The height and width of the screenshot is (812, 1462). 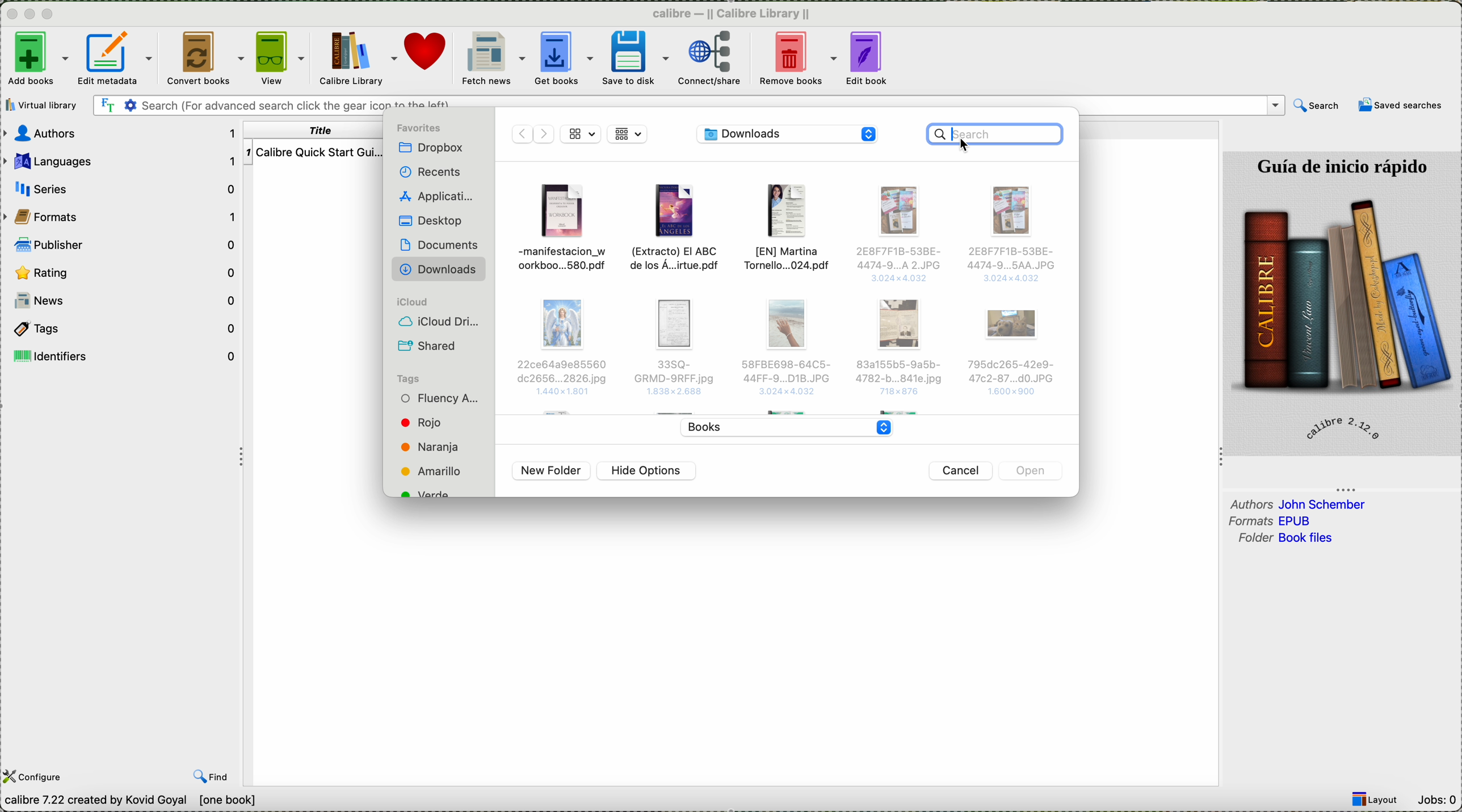 I want to click on view, so click(x=279, y=58).